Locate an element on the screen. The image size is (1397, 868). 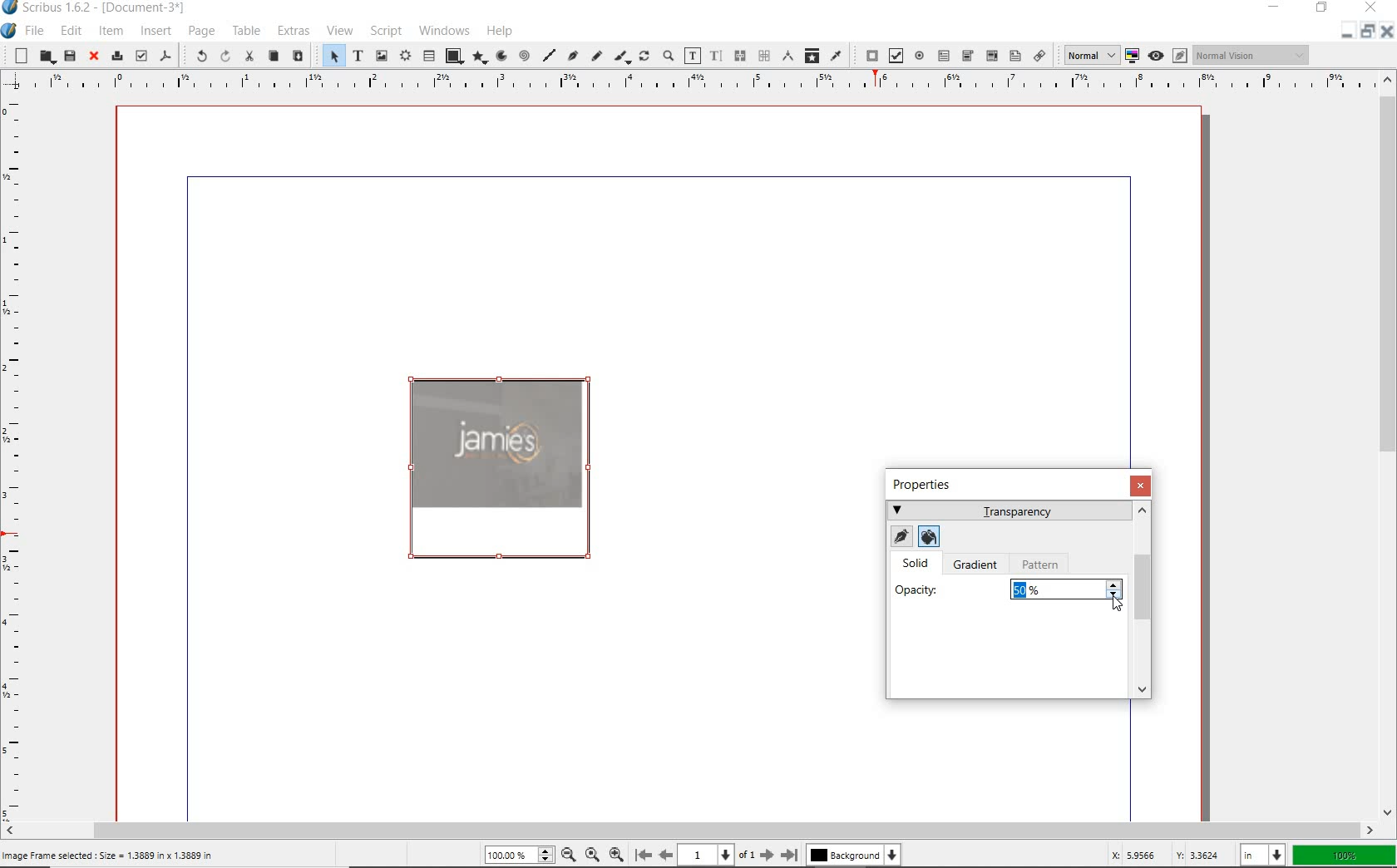
mouse pointer is located at coordinates (1116, 601).